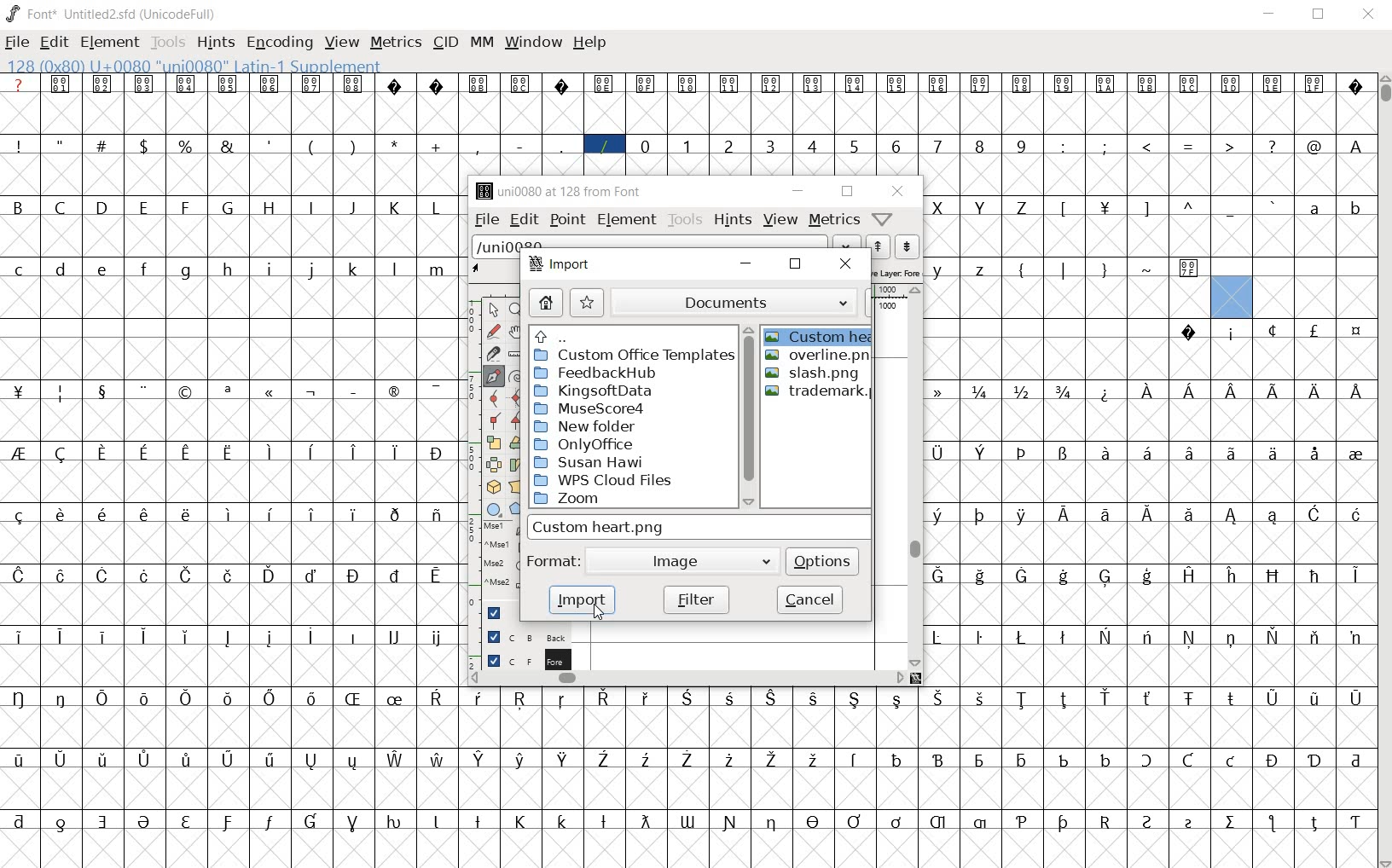  I want to click on font name, so click(100, 11).